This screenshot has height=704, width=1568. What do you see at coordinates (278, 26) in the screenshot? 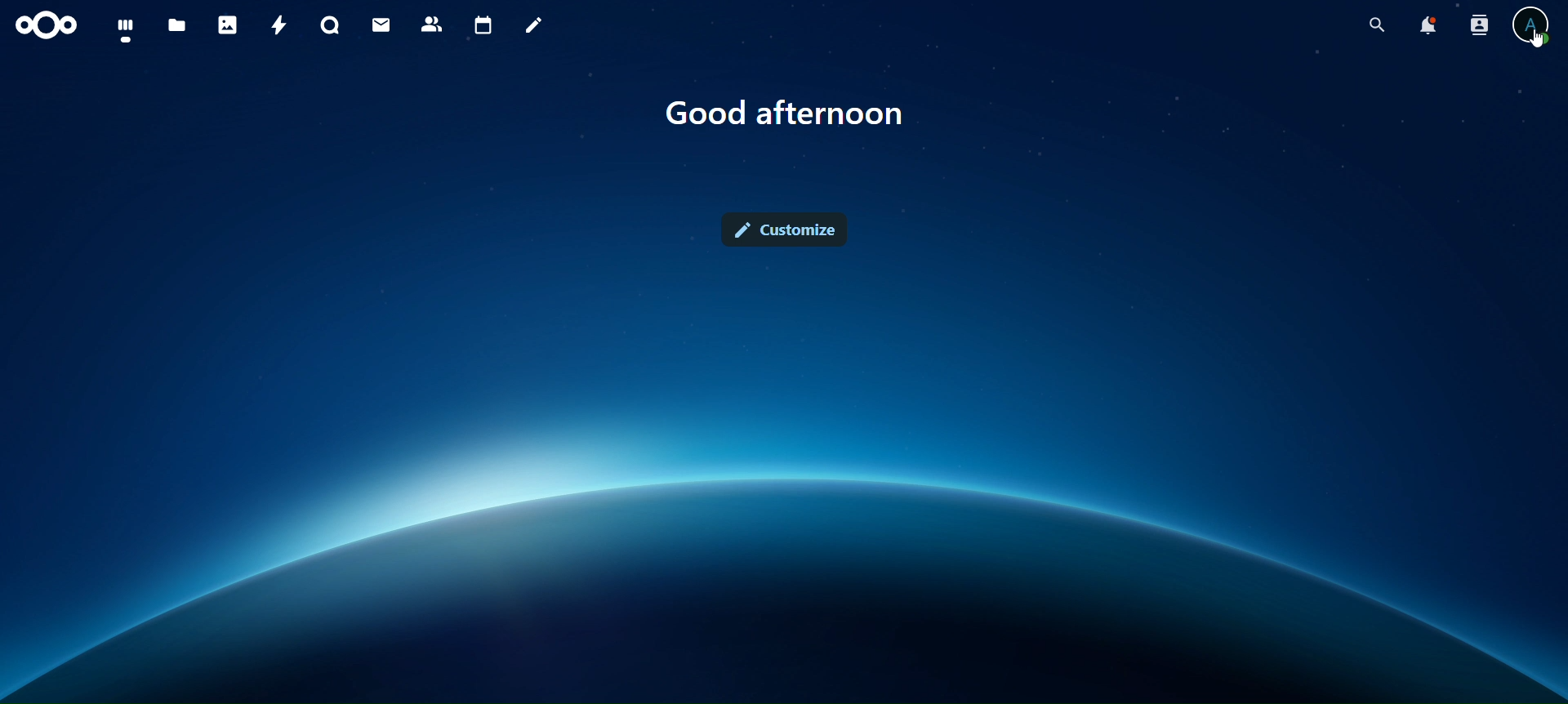
I see `activity` at bounding box center [278, 26].